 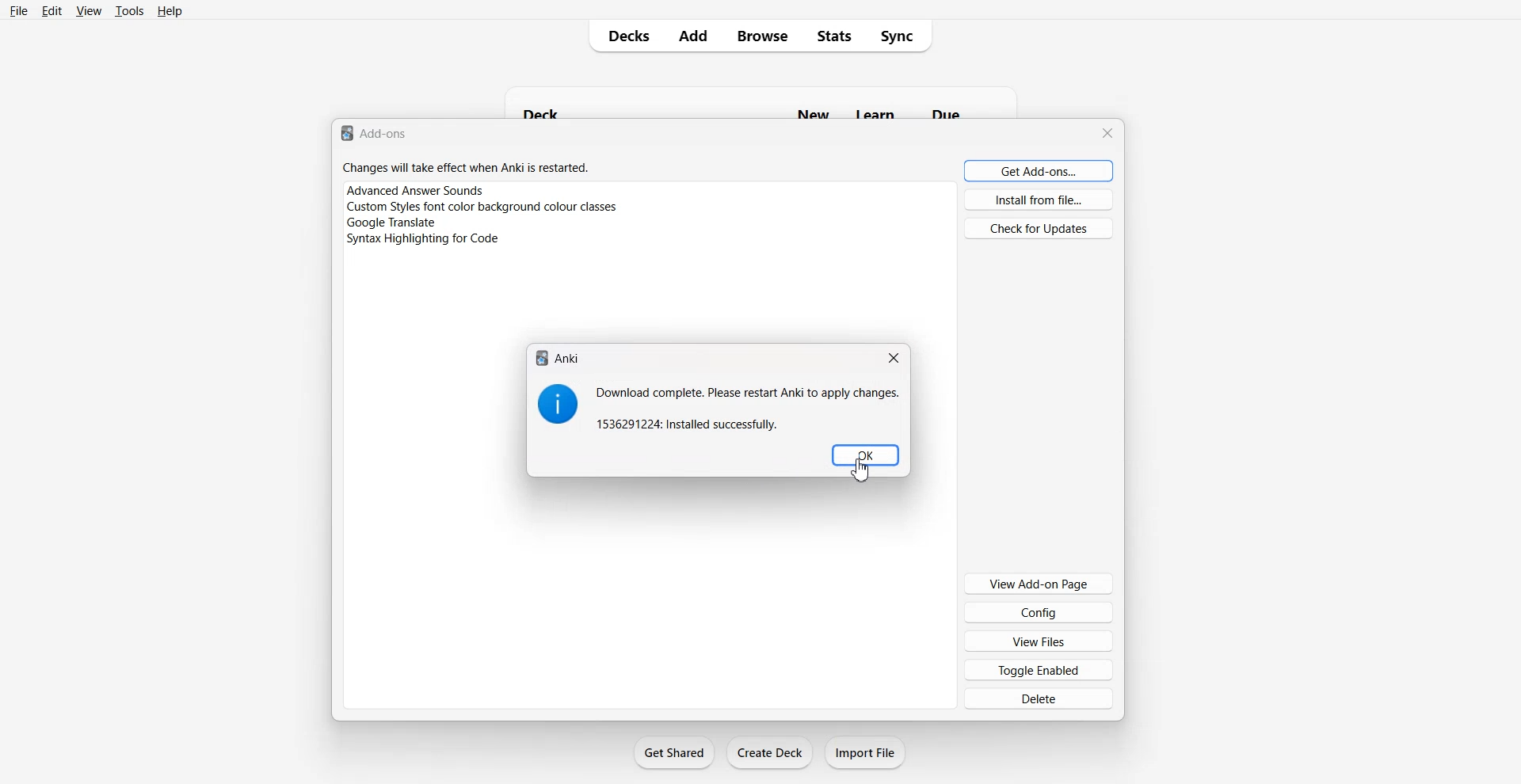 I want to click on Syntax Highlighting code, so click(x=426, y=240).